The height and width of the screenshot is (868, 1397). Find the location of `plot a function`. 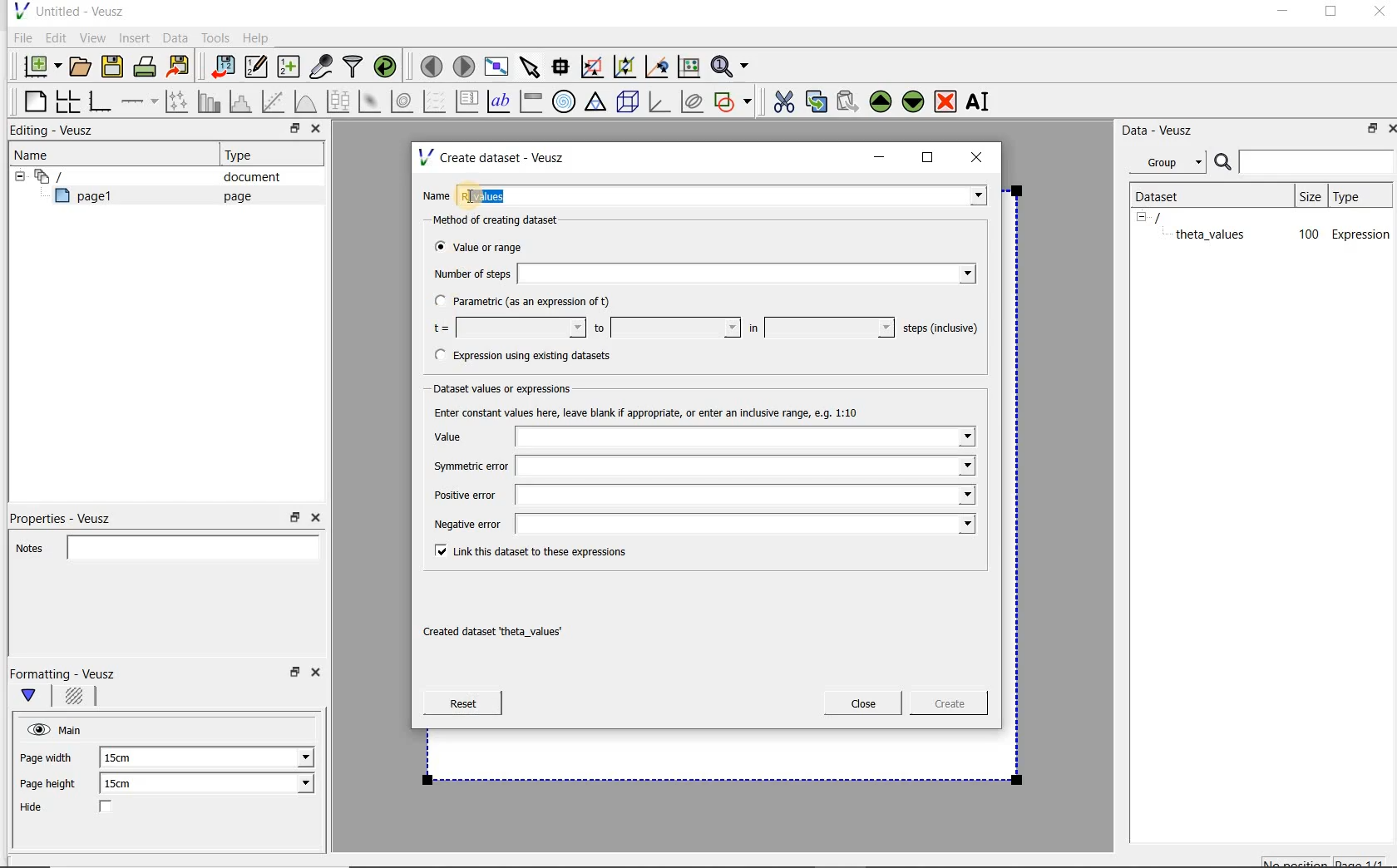

plot a function is located at coordinates (304, 101).